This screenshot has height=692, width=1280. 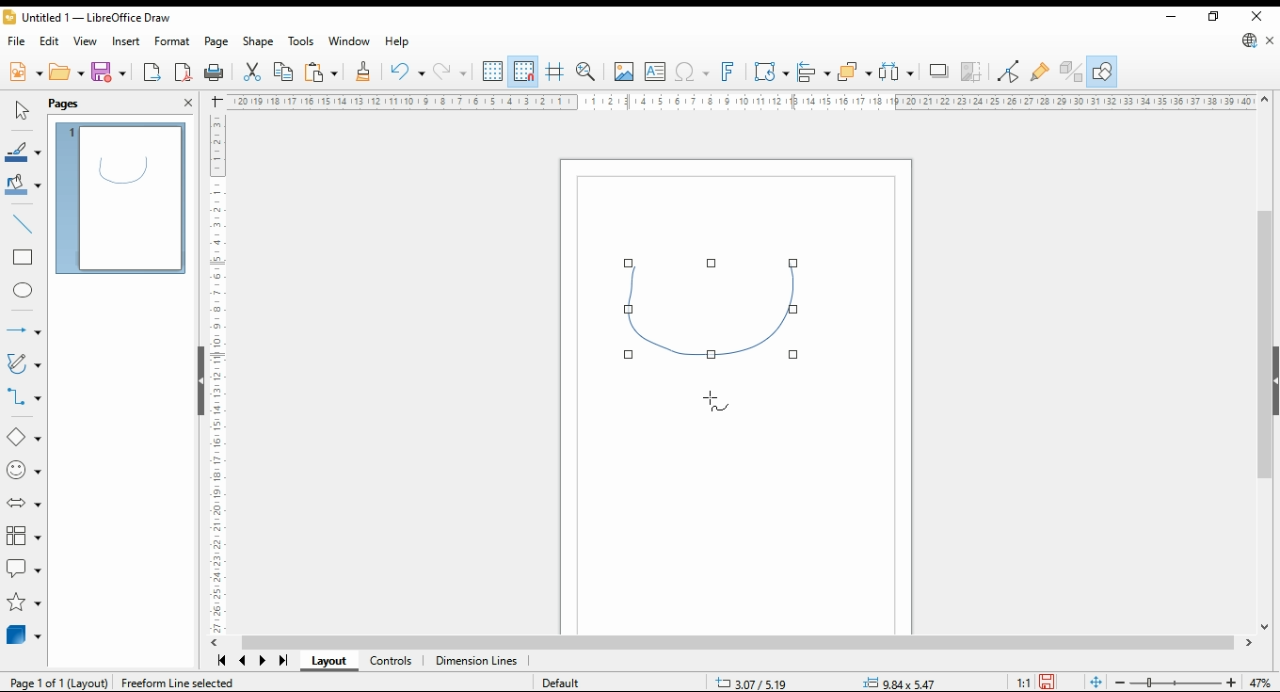 What do you see at coordinates (186, 103) in the screenshot?
I see `close pane` at bounding box center [186, 103].